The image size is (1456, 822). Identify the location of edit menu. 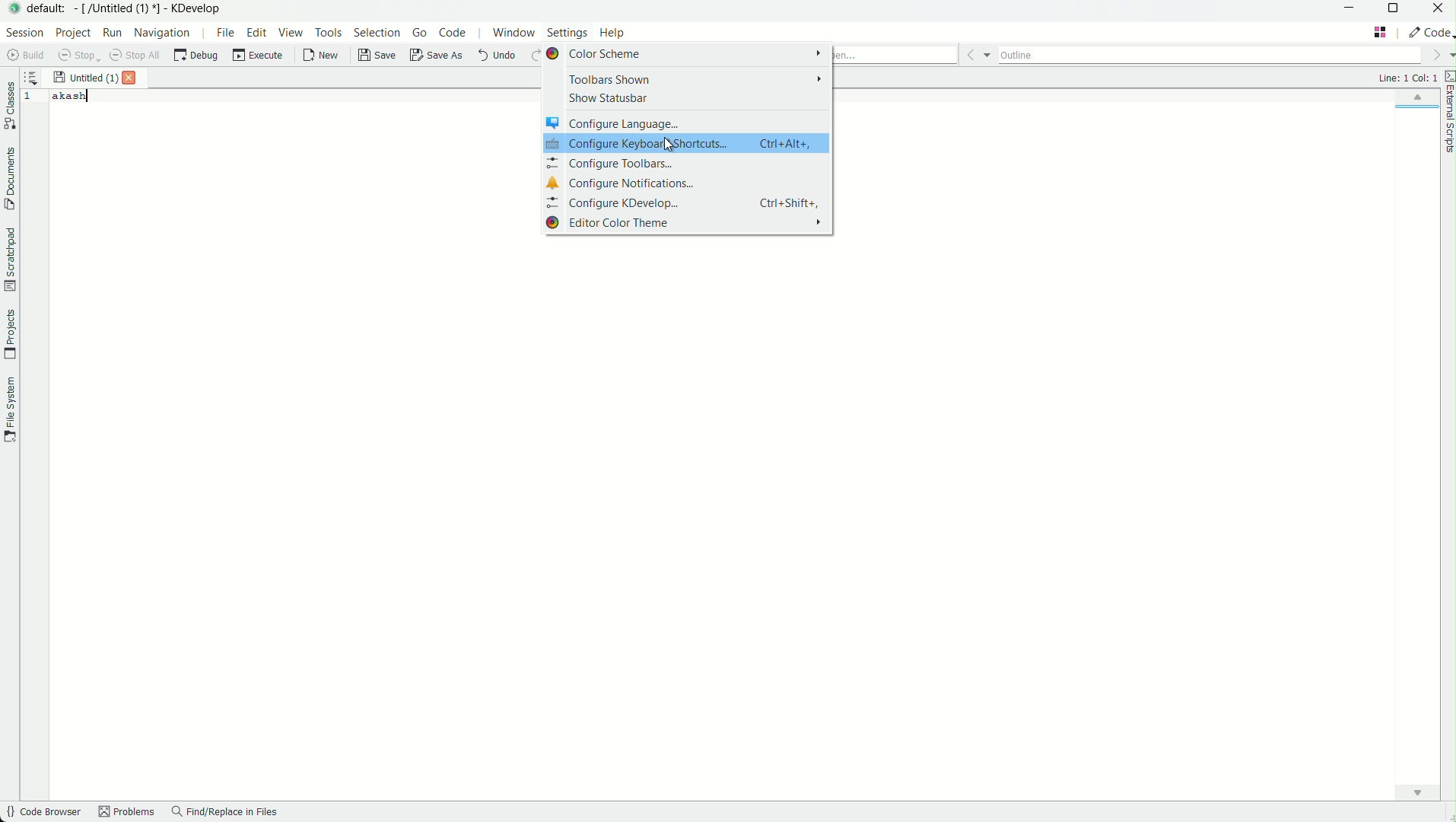
(257, 32).